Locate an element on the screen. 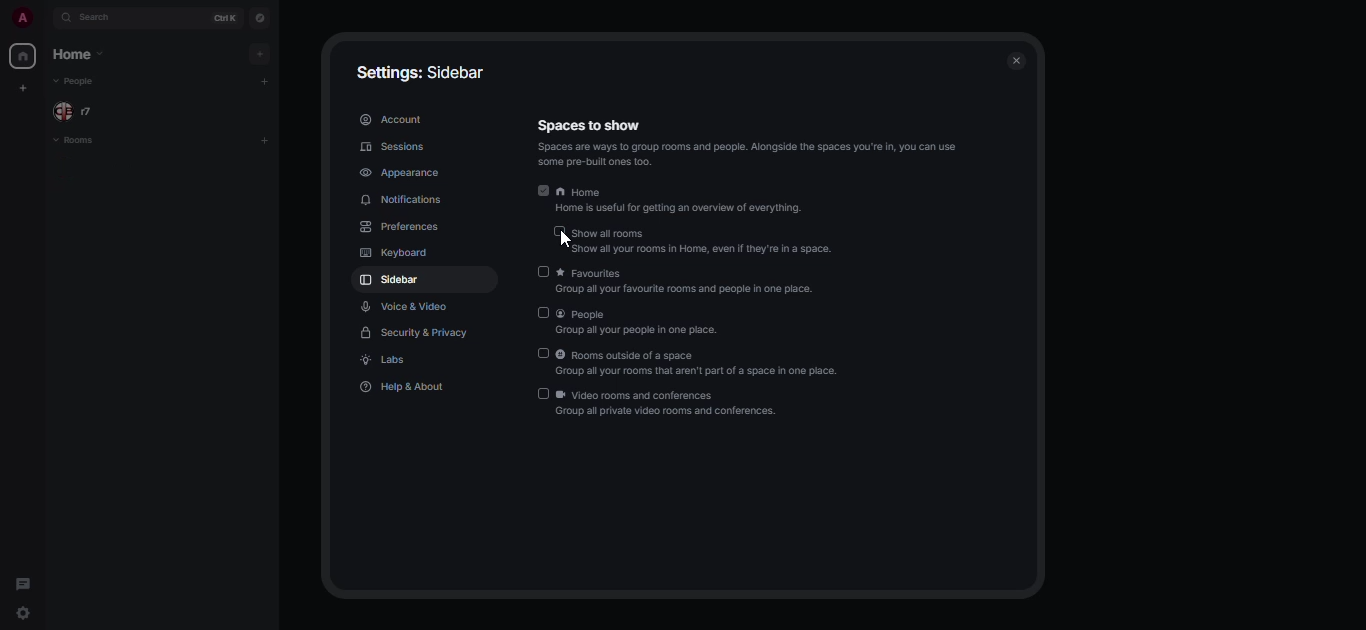 The image size is (1366, 630). sidebar is located at coordinates (390, 282).